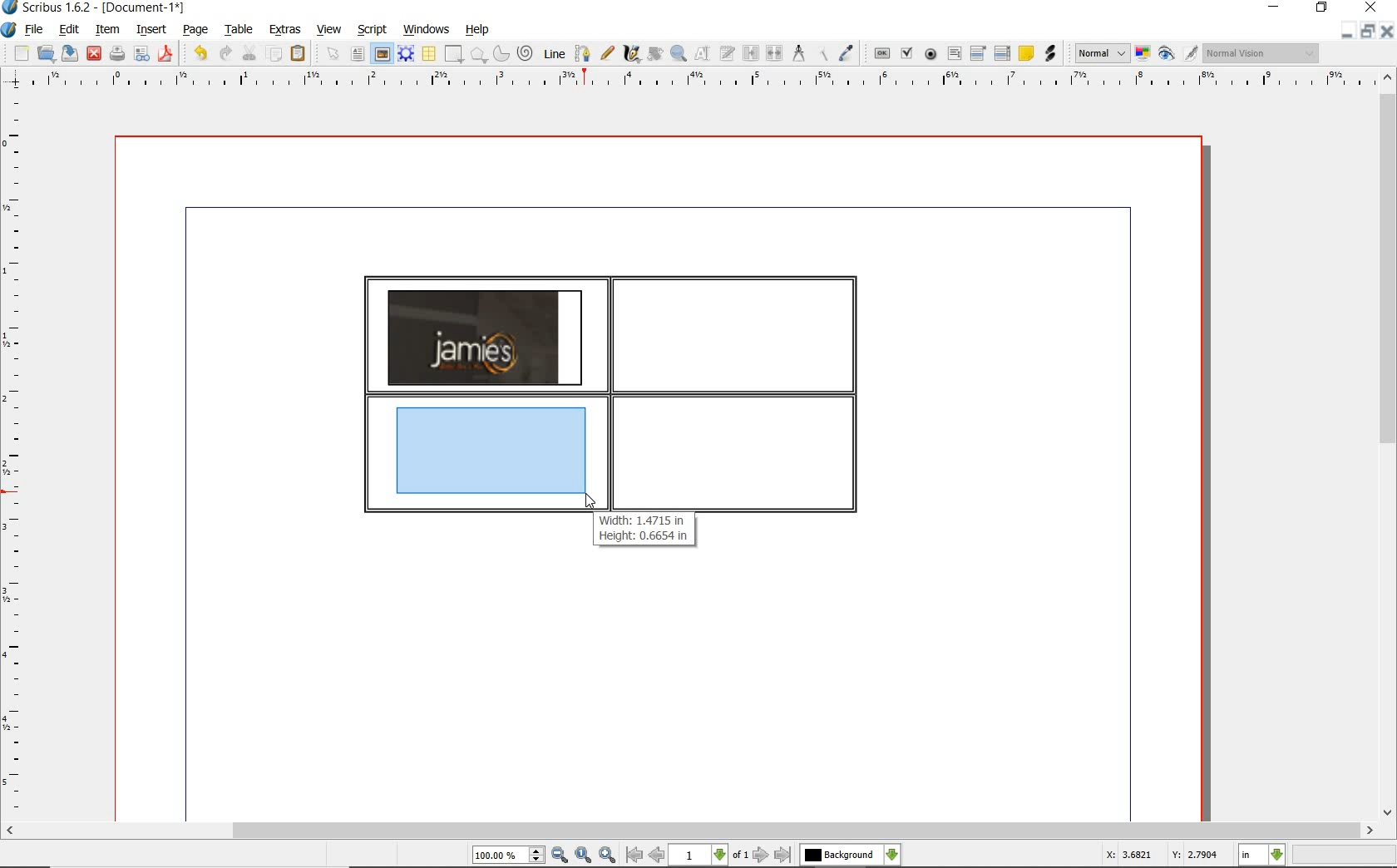 The width and height of the screenshot is (1397, 868). What do you see at coordinates (106, 30) in the screenshot?
I see `item` at bounding box center [106, 30].